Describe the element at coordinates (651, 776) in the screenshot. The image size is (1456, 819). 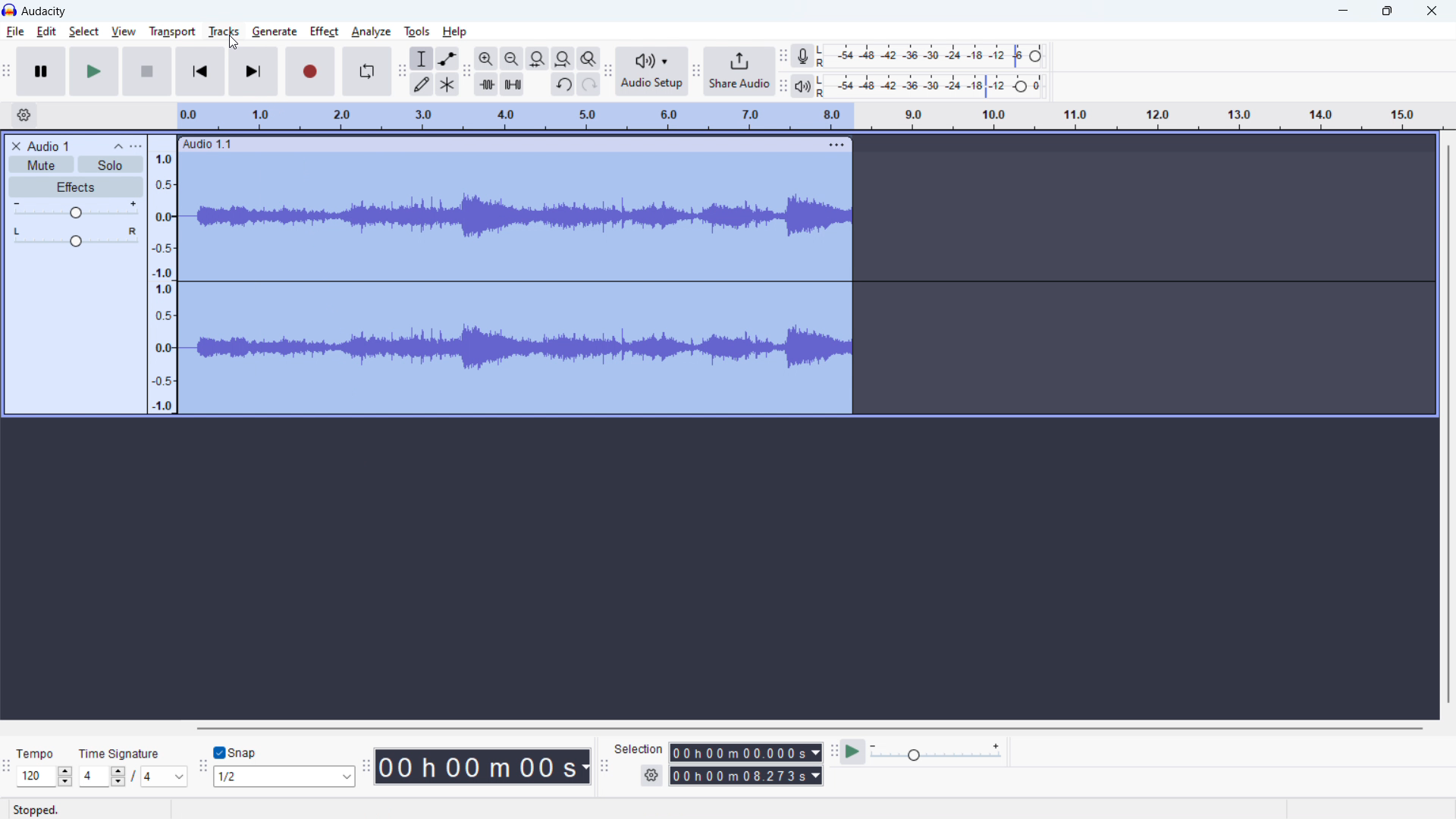
I see `selection settings` at that location.